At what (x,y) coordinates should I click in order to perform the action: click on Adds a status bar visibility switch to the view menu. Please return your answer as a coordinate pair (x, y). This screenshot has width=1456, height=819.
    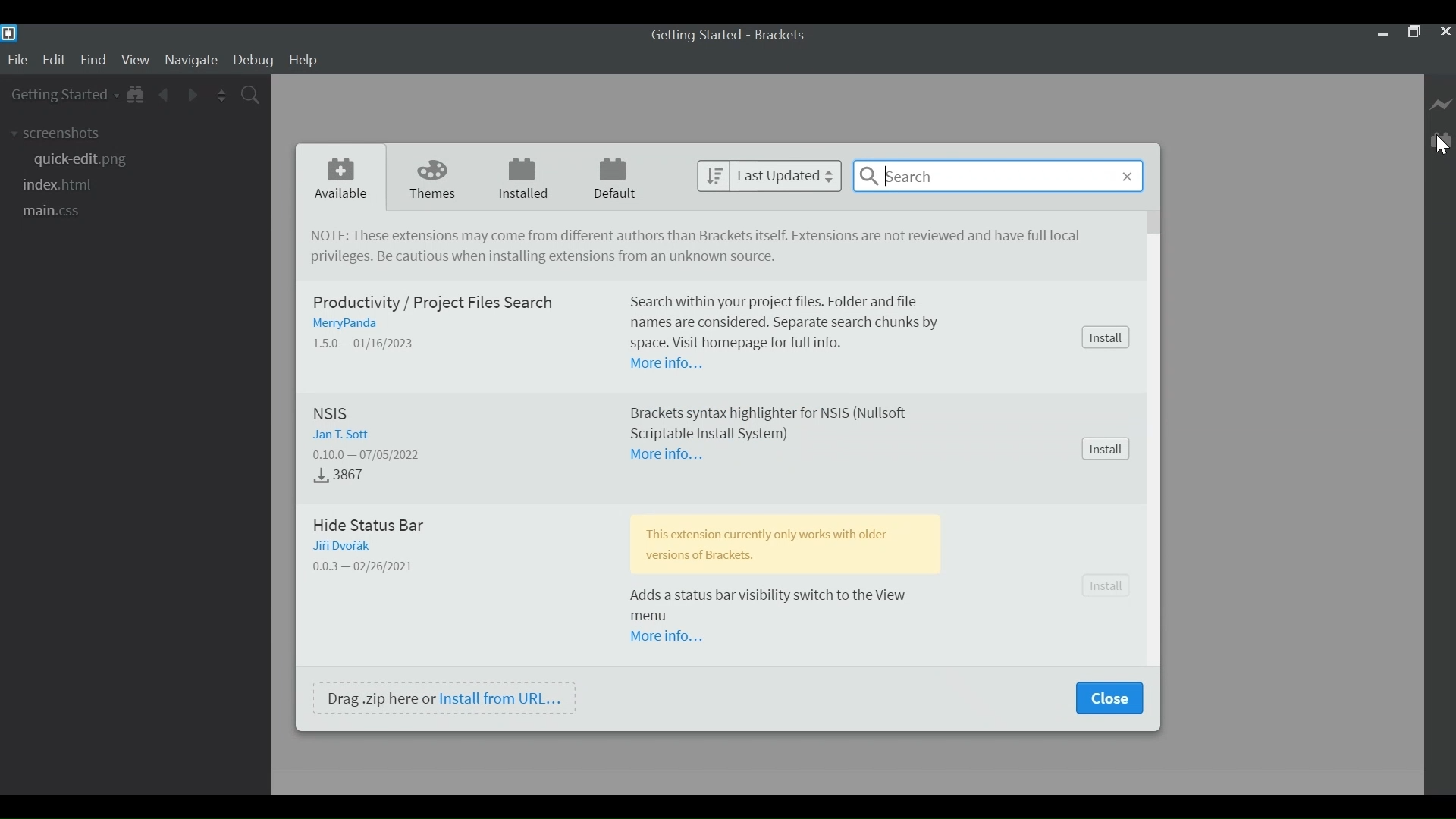
    Looking at the image, I should click on (789, 604).